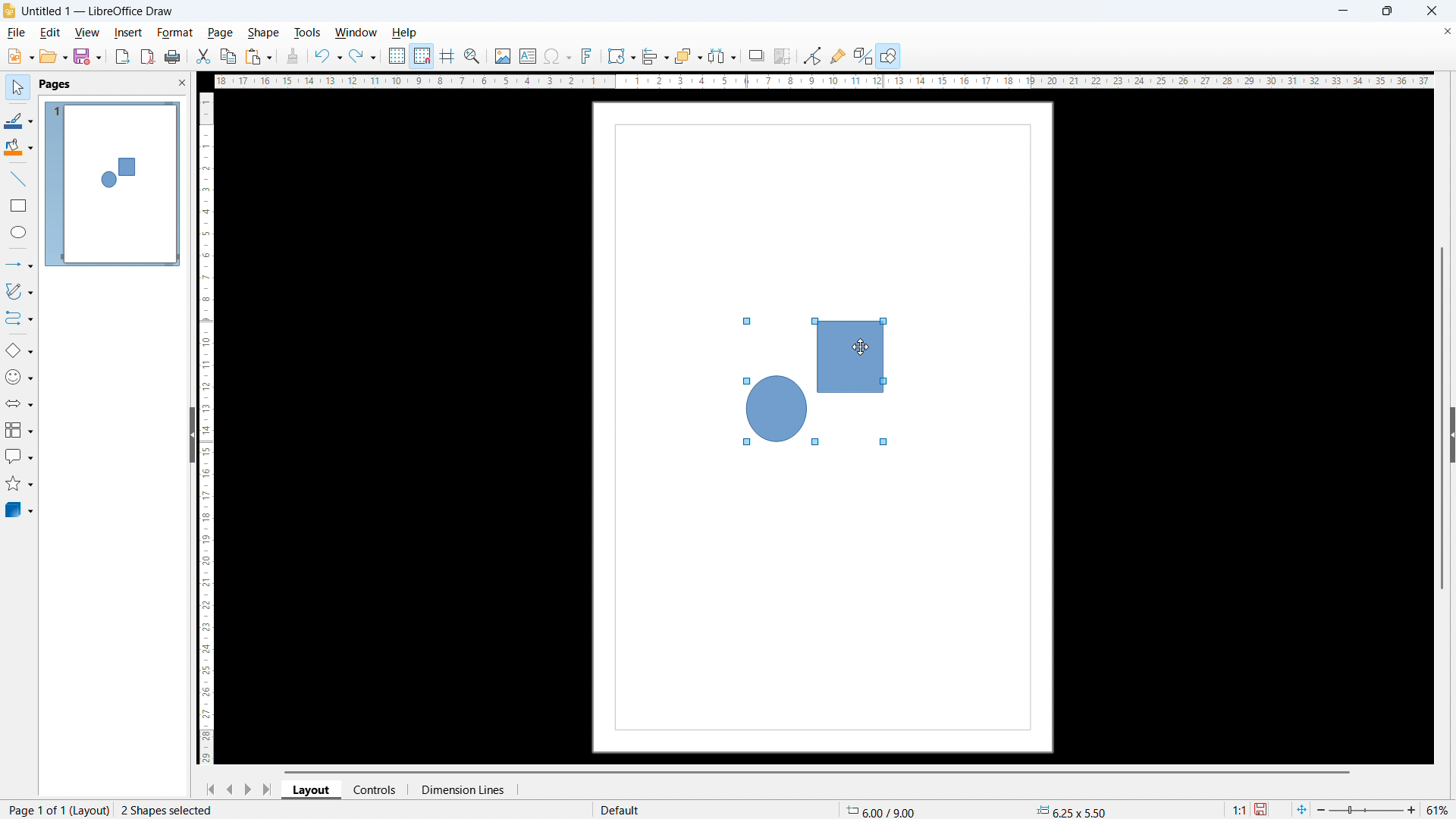  I want to click on callout shapes, so click(18, 457).